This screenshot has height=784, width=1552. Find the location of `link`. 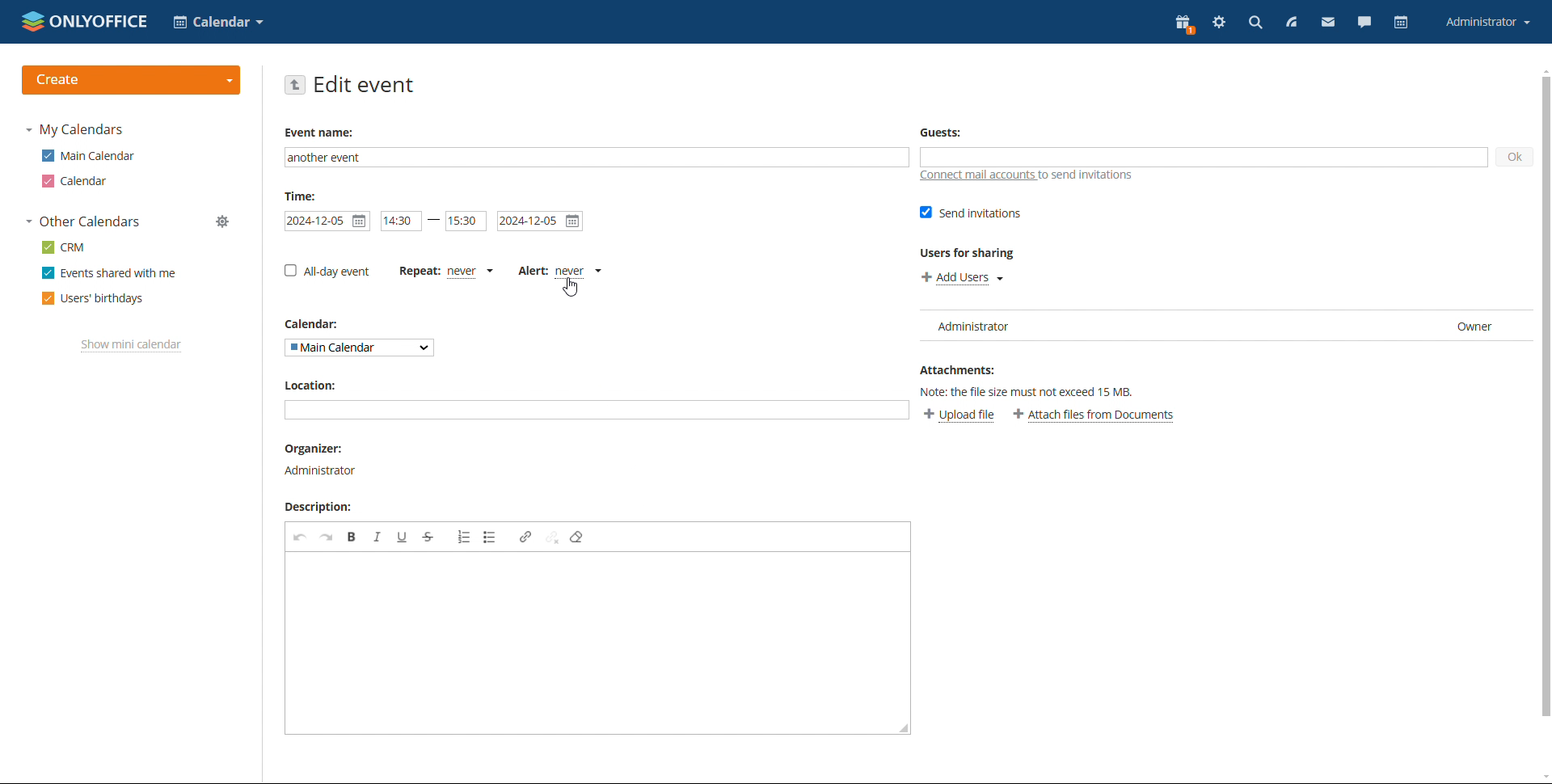

link is located at coordinates (525, 537).